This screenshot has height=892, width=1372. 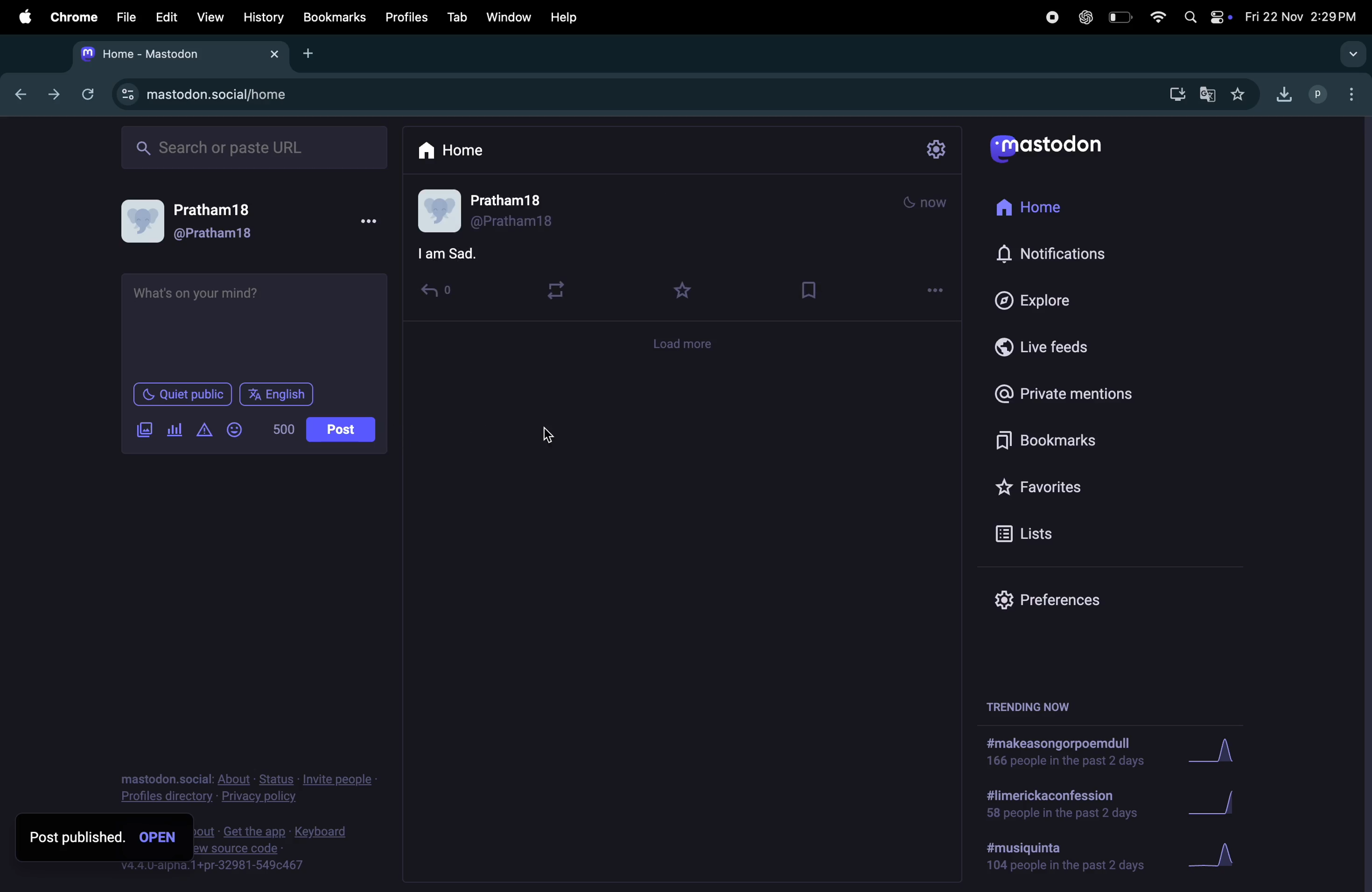 I want to click on profiles, so click(x=404, y=17).